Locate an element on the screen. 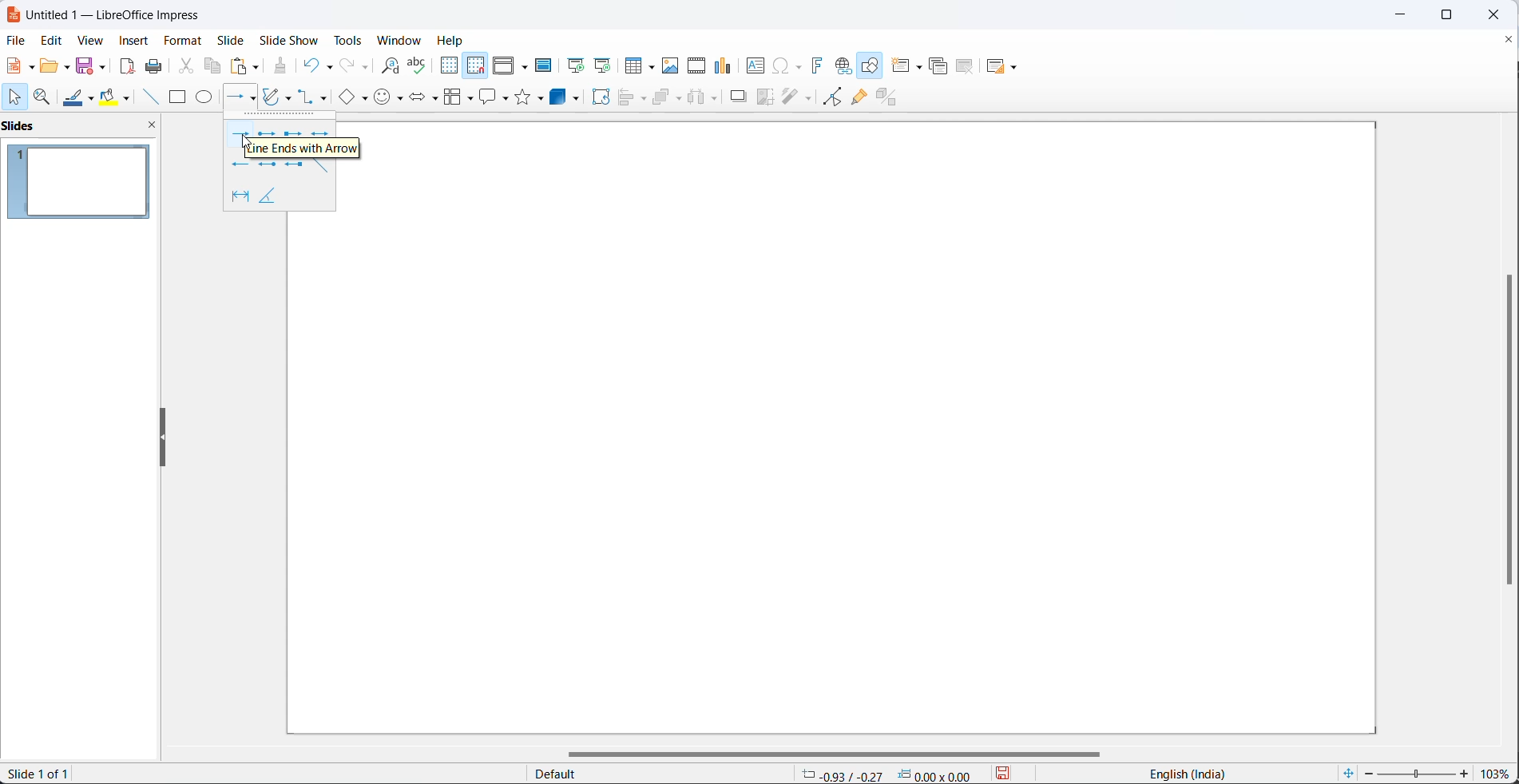 This screenshot has height=784, width=1519. rotate is located at coordinates (601, 98).